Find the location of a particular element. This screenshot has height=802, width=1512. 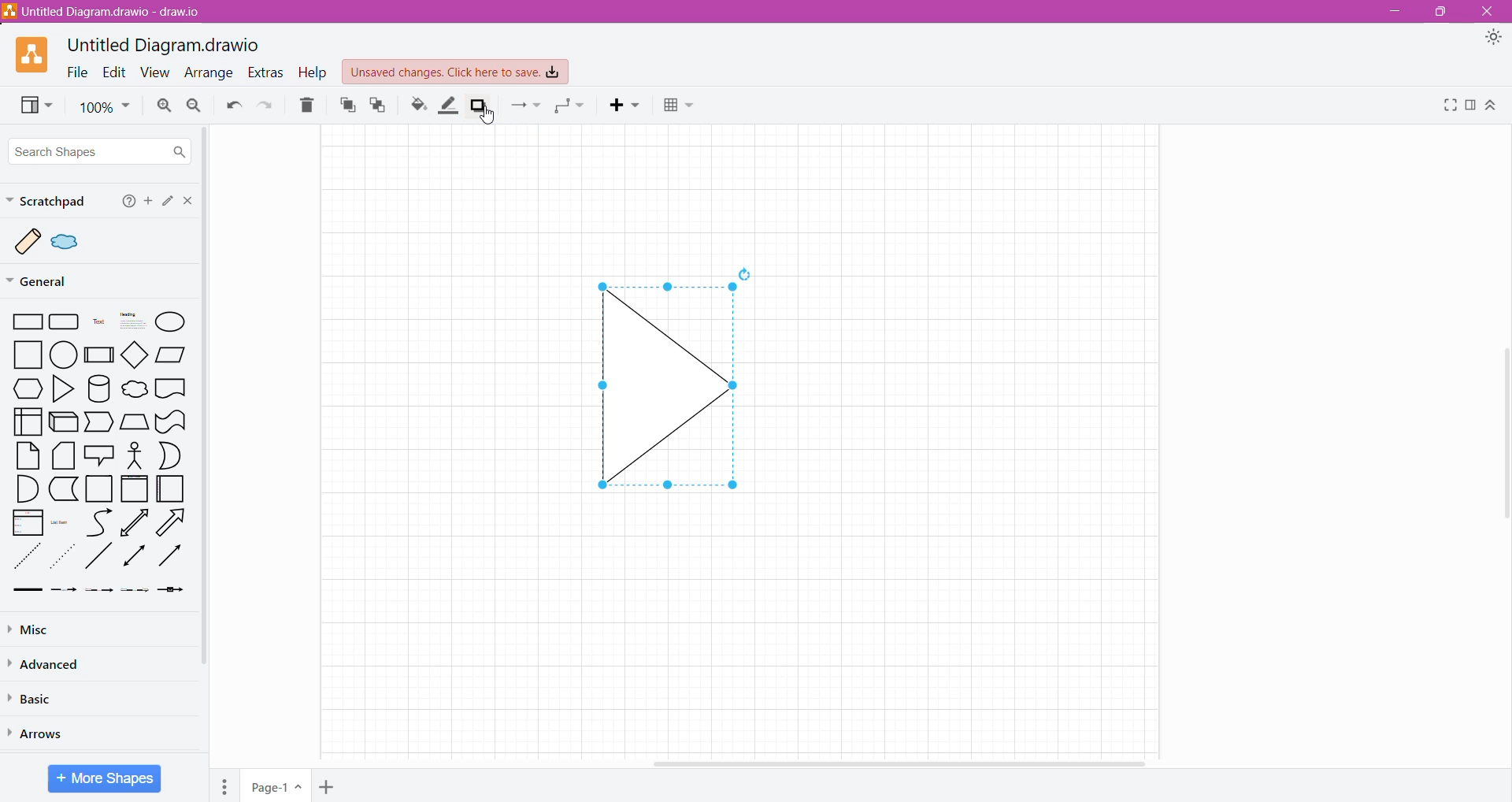

Unsaved changes. Click here to save is located at coordinates (454, 72).